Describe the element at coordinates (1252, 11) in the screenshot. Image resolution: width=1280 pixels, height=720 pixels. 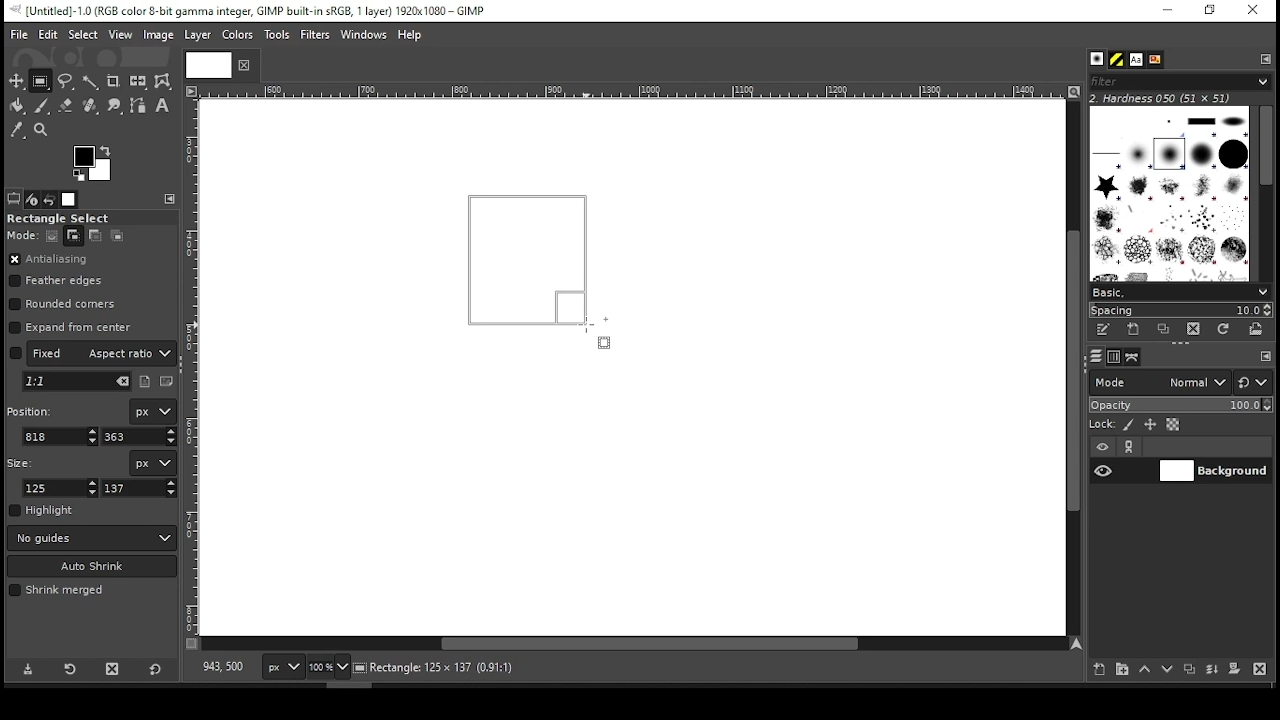
I see `close window` at that location.